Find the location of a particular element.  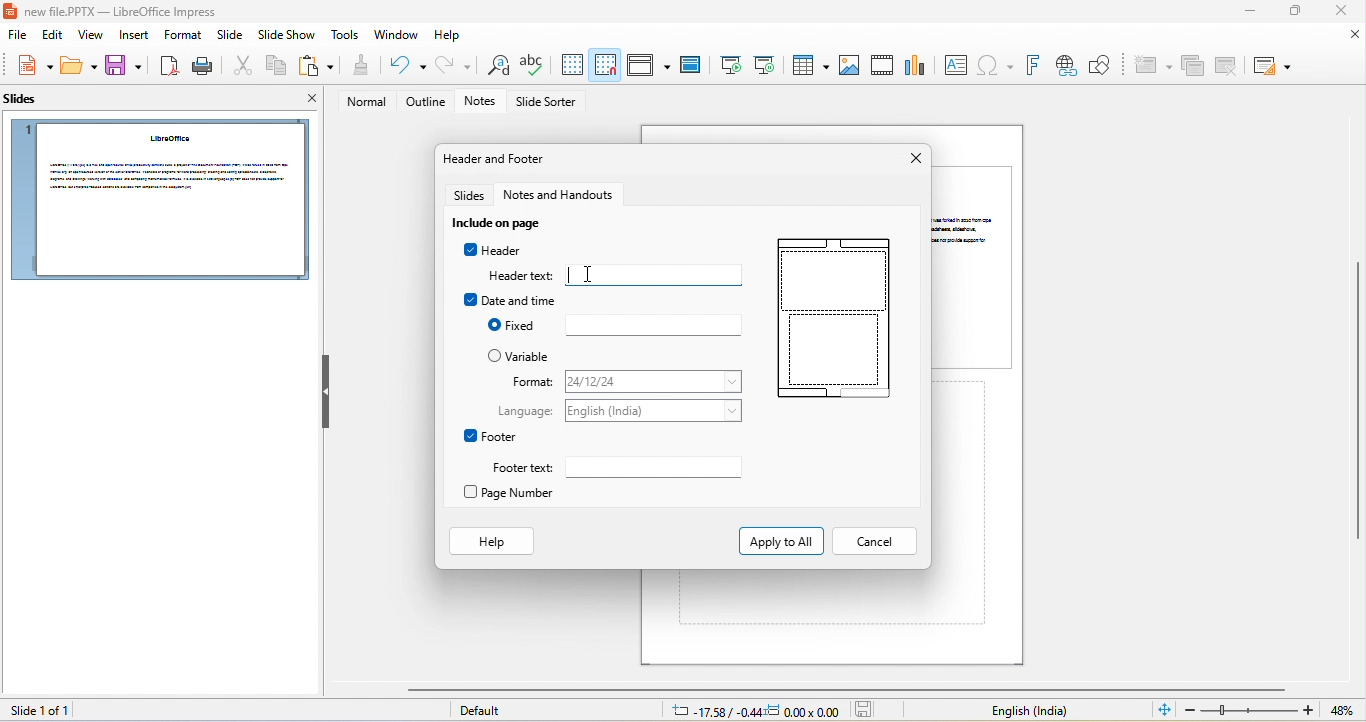

file is located at coordinates (14, 36).